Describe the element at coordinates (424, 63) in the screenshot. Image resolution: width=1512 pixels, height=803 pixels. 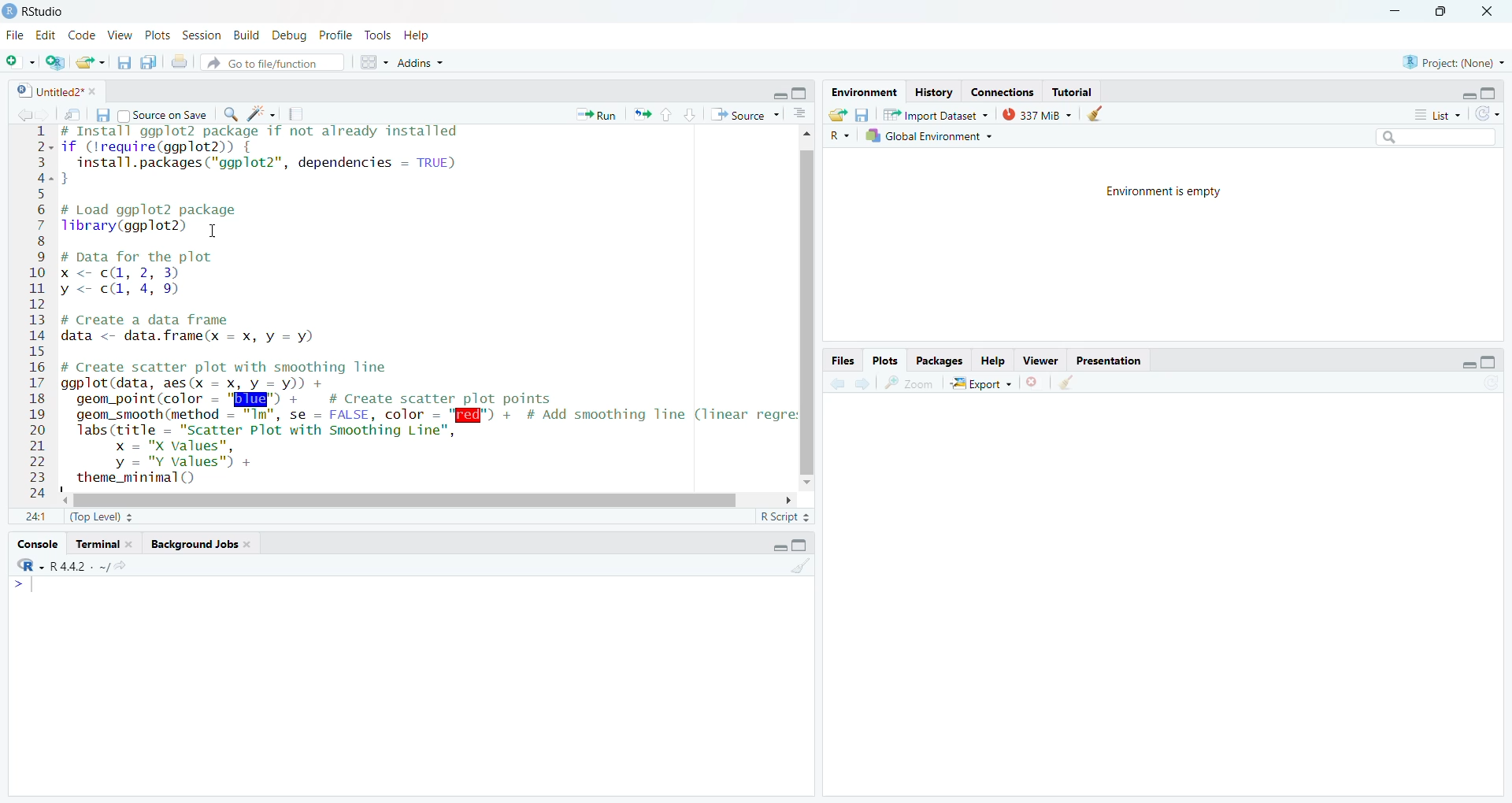
I see ` Addins ~` at that location.